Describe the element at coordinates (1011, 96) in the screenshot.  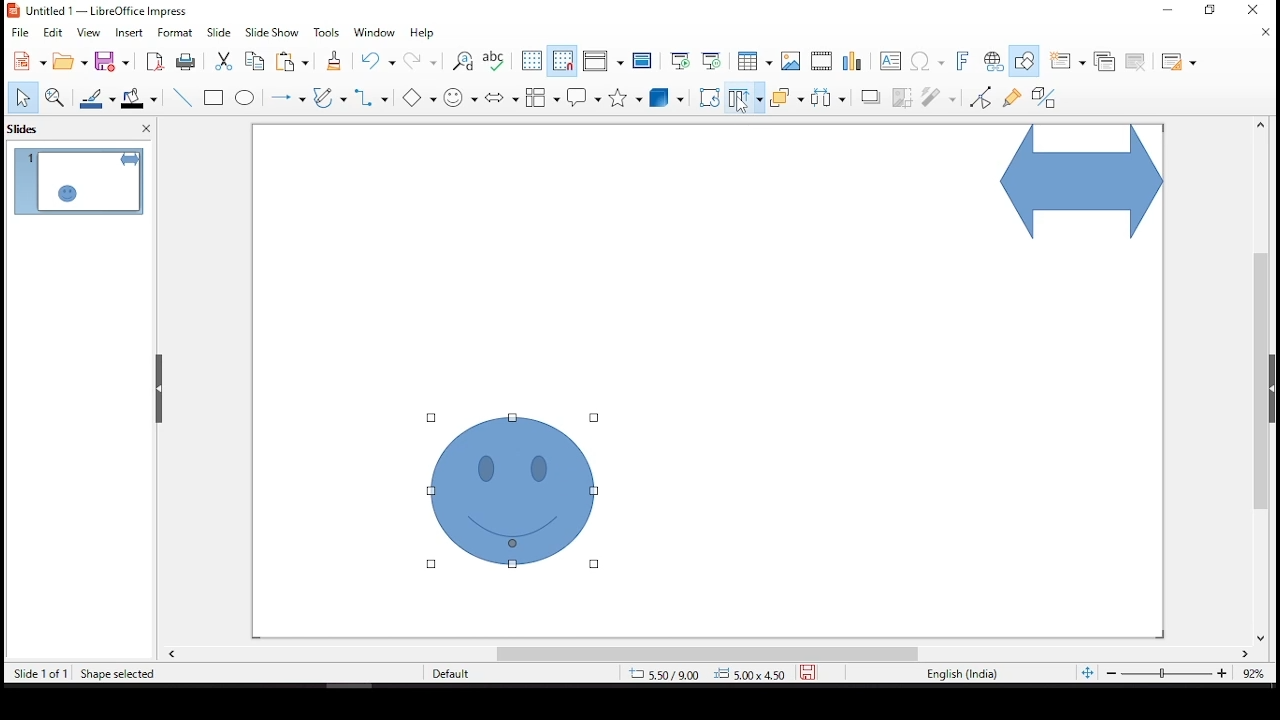
I see `show gluepoint functions` at that location.